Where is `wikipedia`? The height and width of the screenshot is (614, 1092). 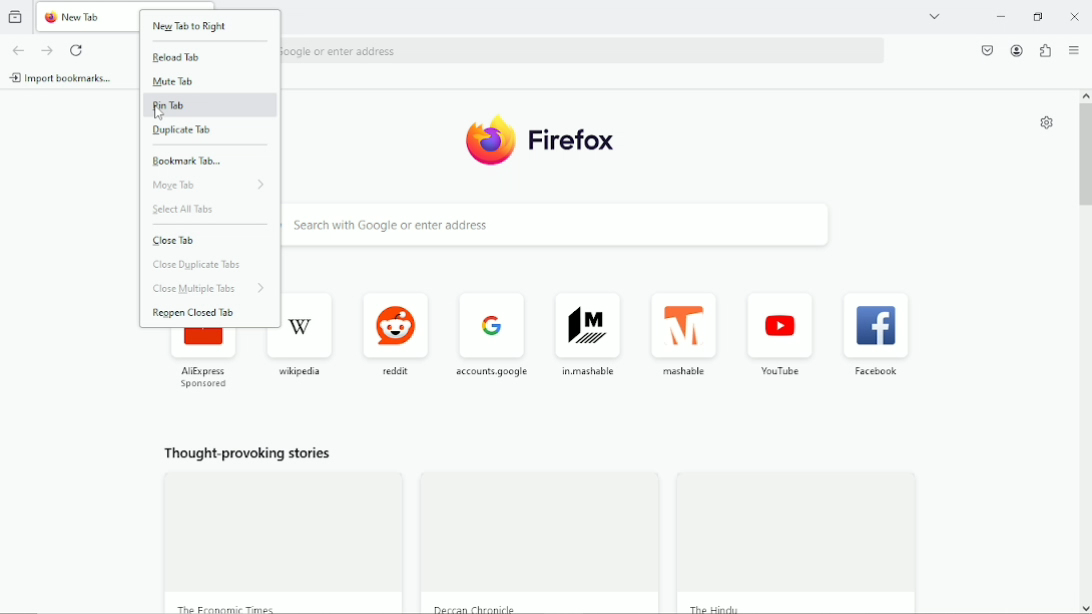
wikipedia is located at coordinates (307, 335).